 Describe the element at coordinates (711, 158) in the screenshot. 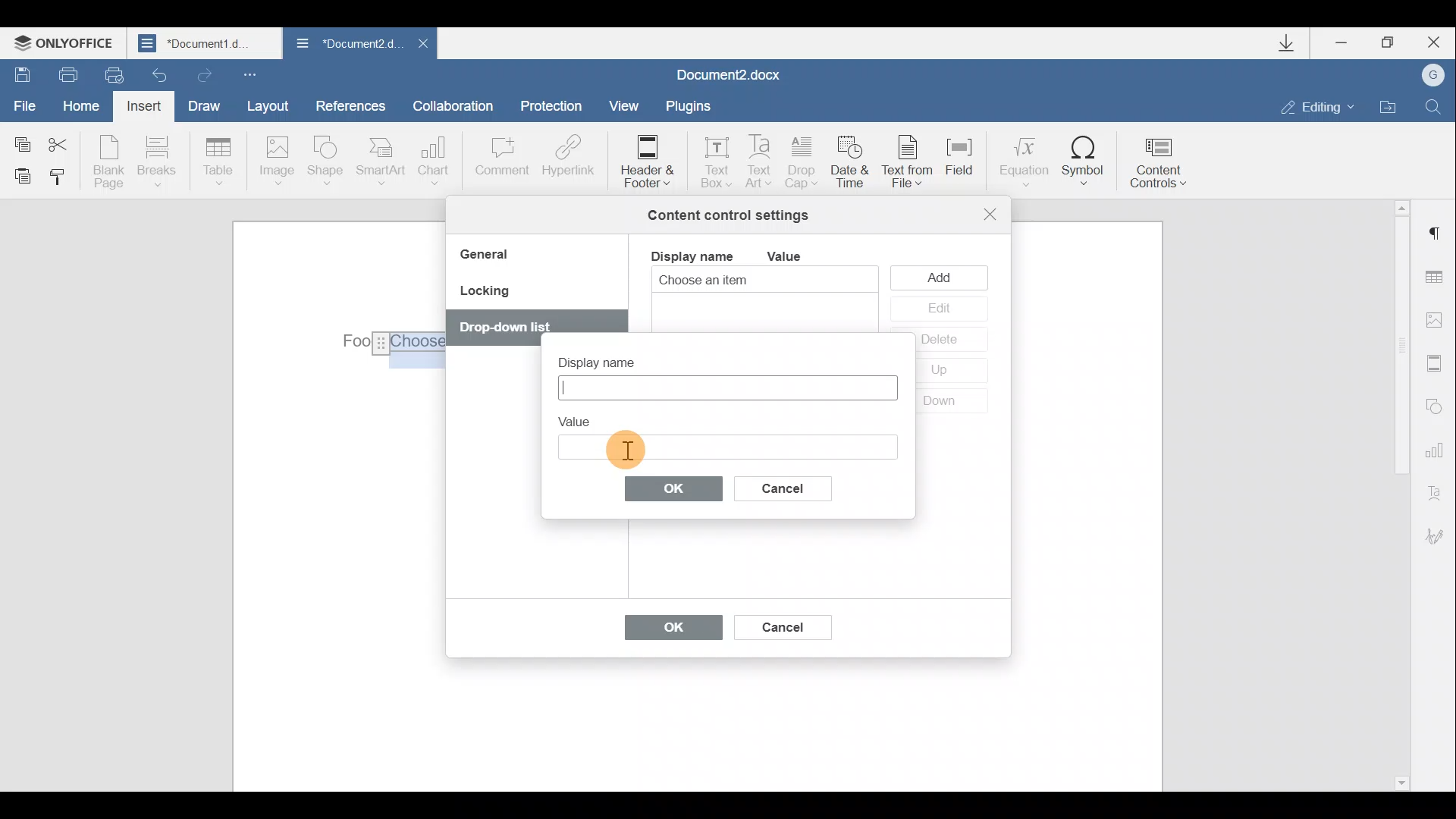

I see `Text box` at that location.